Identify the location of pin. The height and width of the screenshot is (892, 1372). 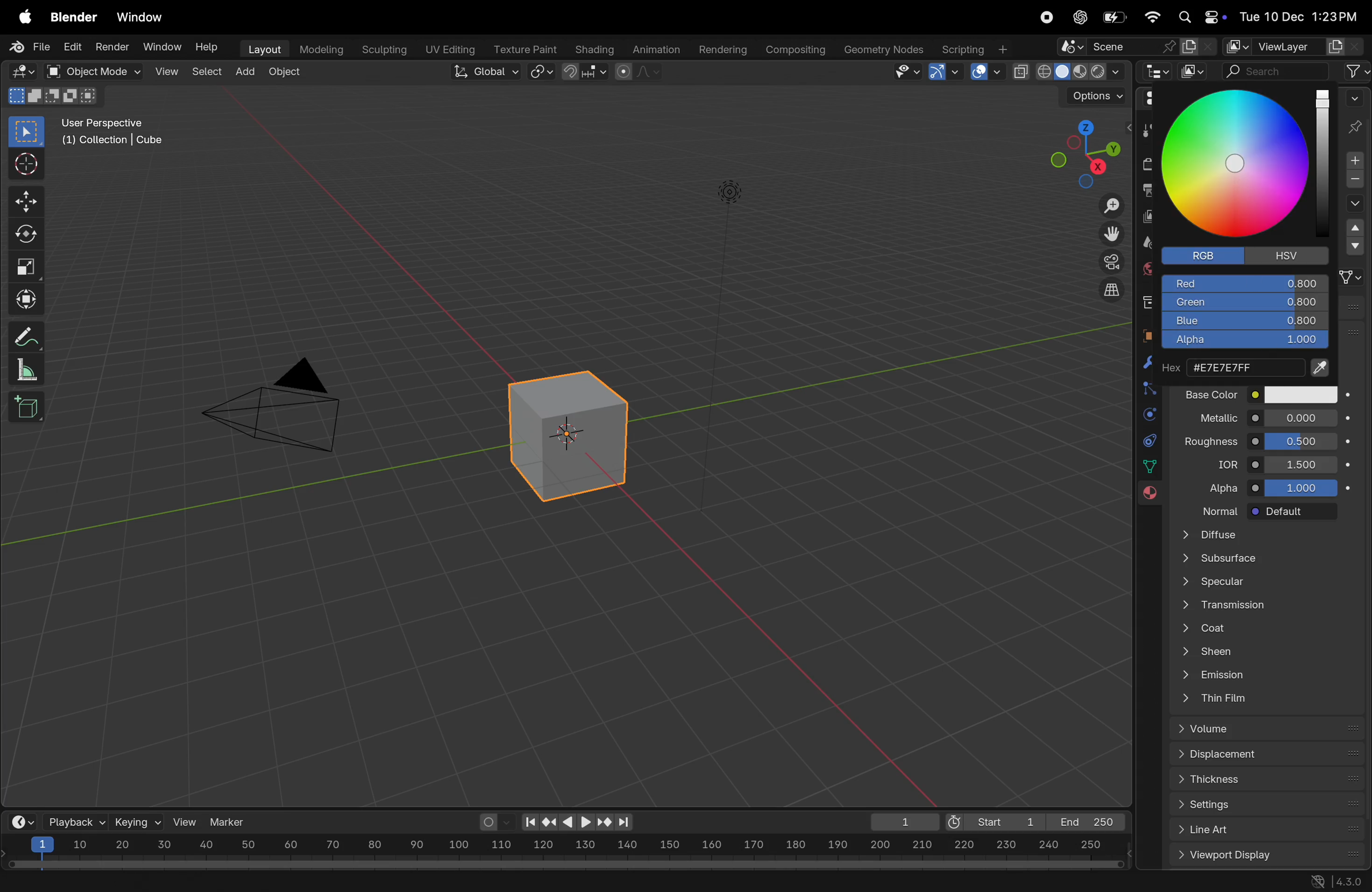
(1356, 114).